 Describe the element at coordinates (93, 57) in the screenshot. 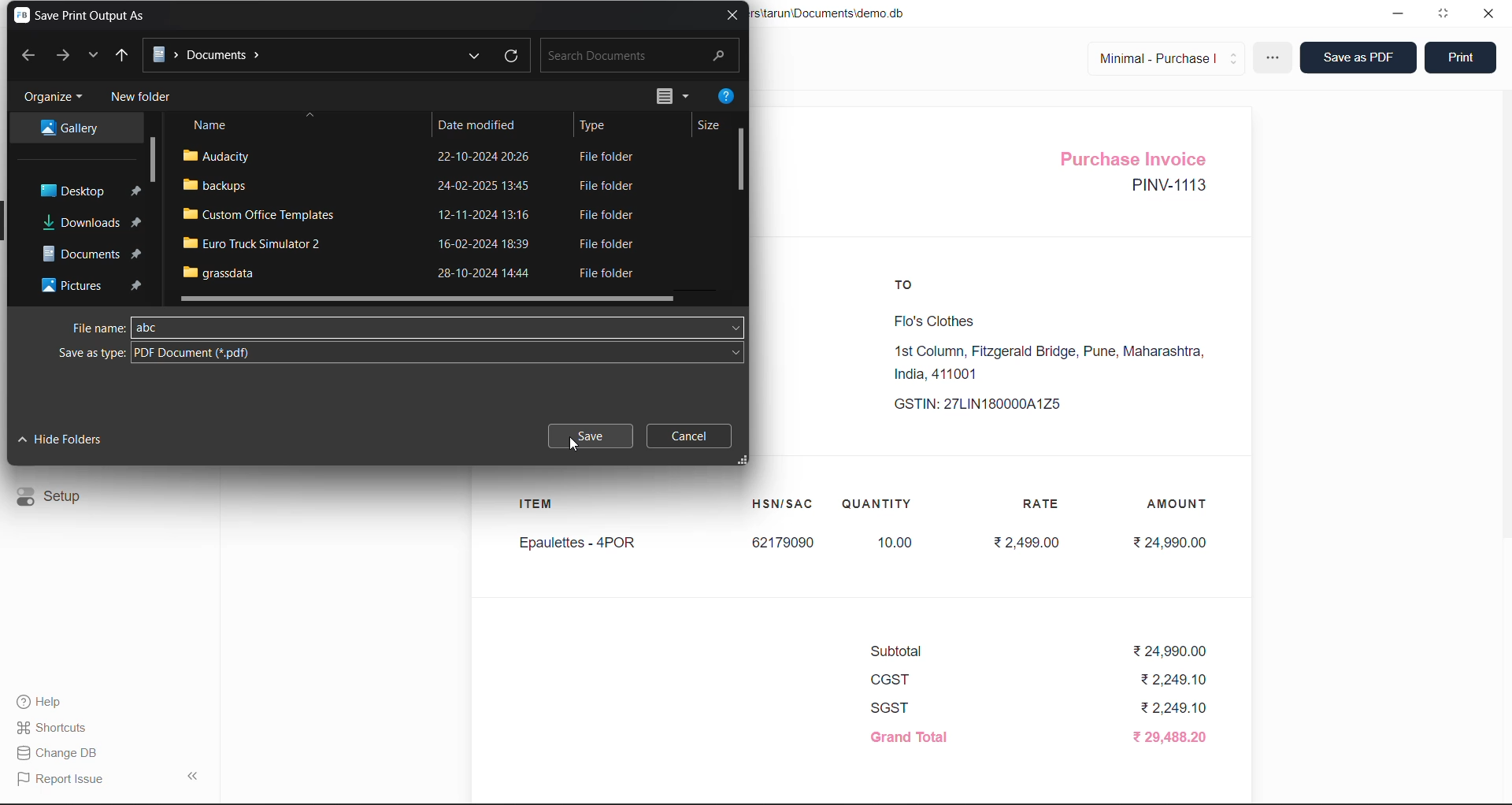

I see `recent locations` at that location.